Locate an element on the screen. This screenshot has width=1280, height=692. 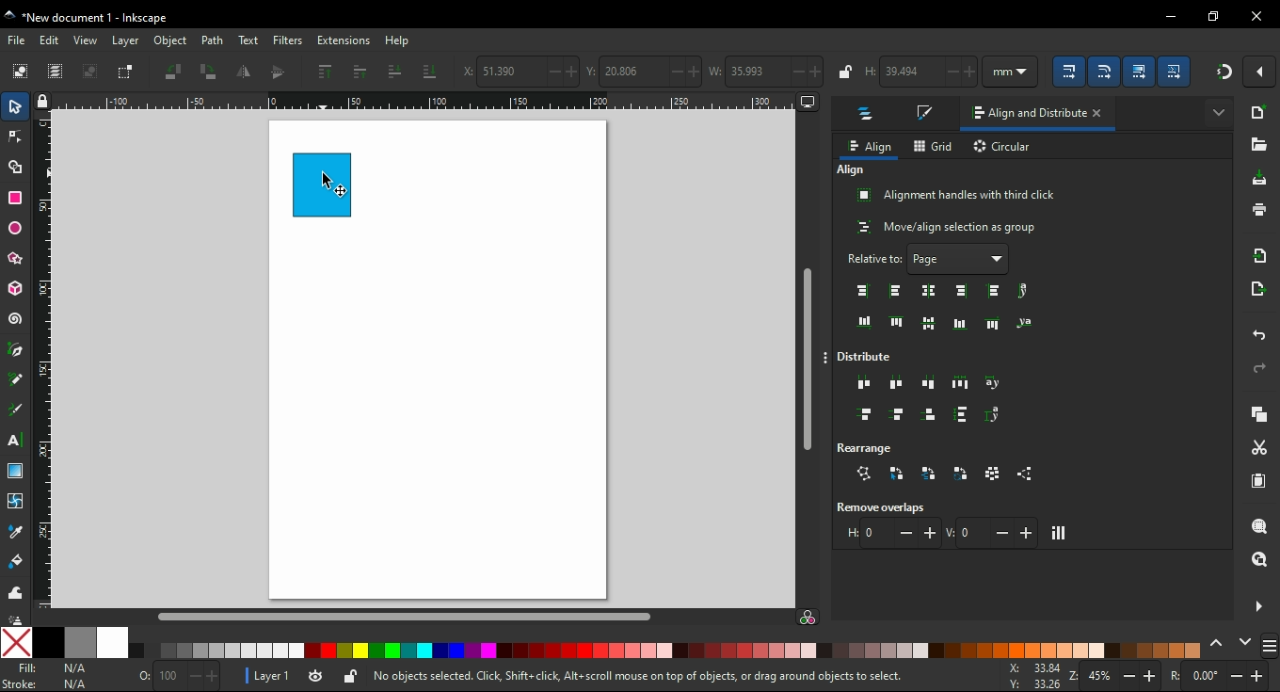
minimum vertical gap between bounding box is located at coordinates (992, 532).